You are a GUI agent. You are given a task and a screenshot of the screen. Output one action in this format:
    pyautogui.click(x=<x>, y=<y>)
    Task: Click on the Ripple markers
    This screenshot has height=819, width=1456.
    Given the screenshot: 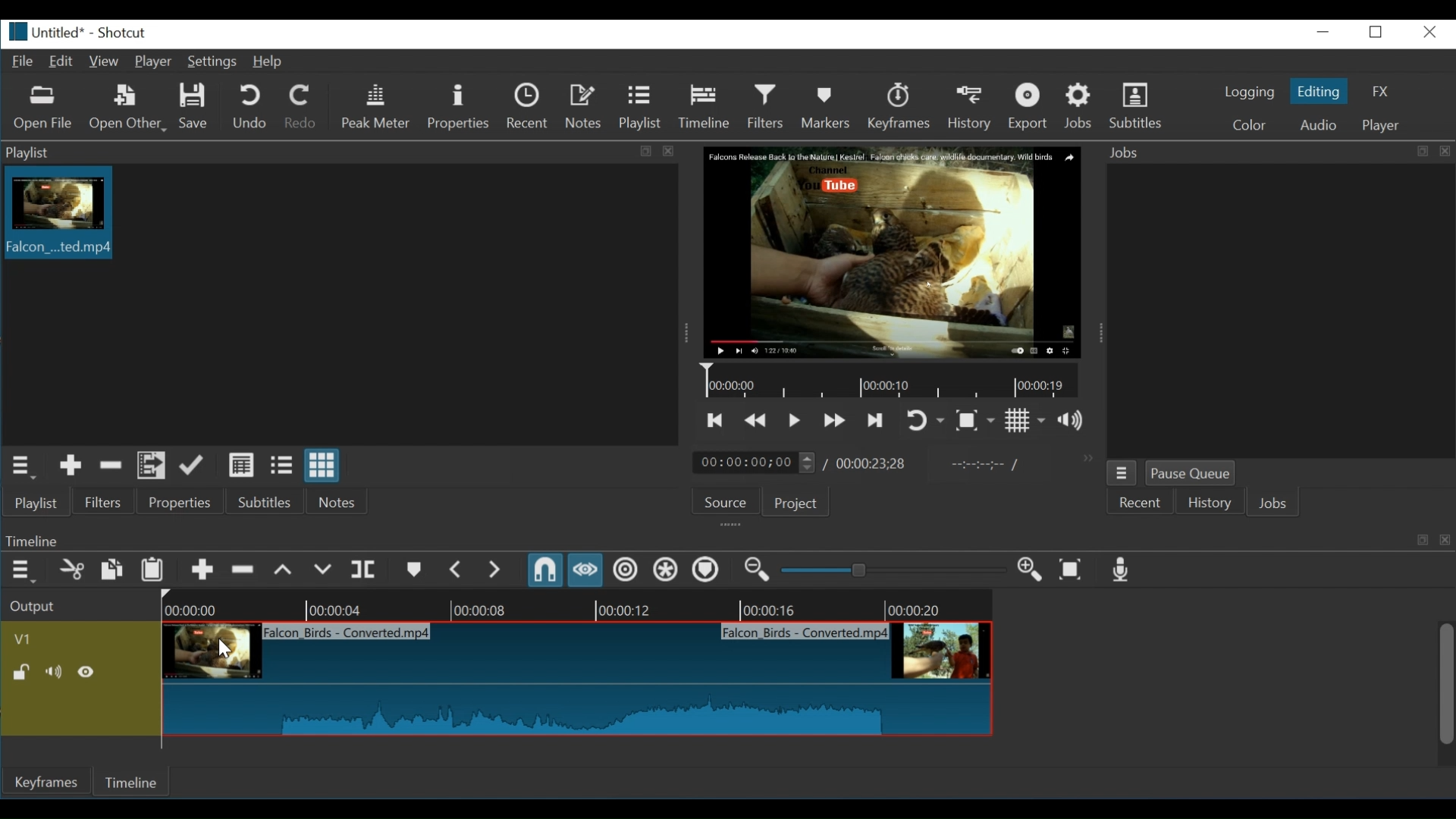 What is the action you would take?
    pyautogui.click(x=704, y=570)
    